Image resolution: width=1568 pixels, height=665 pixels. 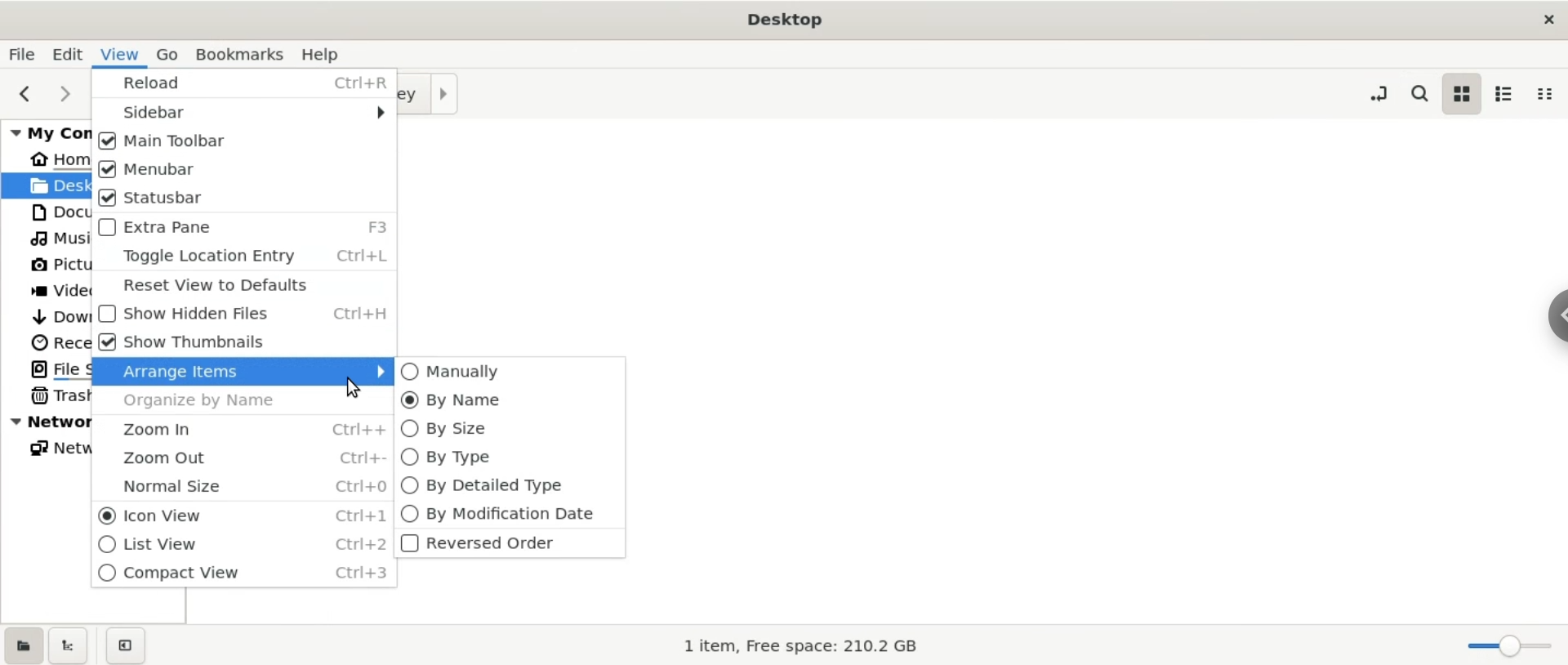 I want to click on bookmarks, so click(x=242, y=53).